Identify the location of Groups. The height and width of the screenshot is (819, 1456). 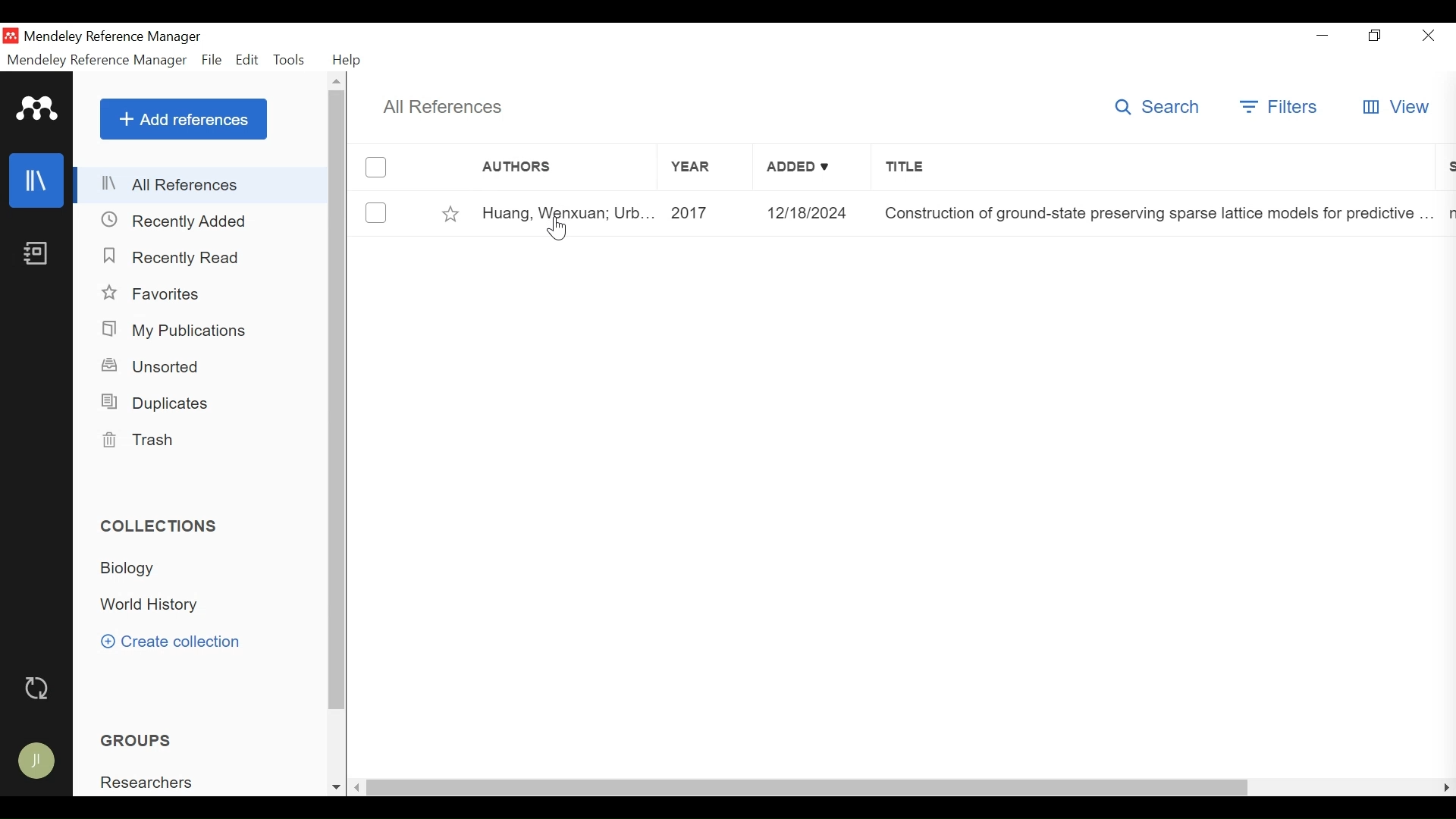
(157, 782).